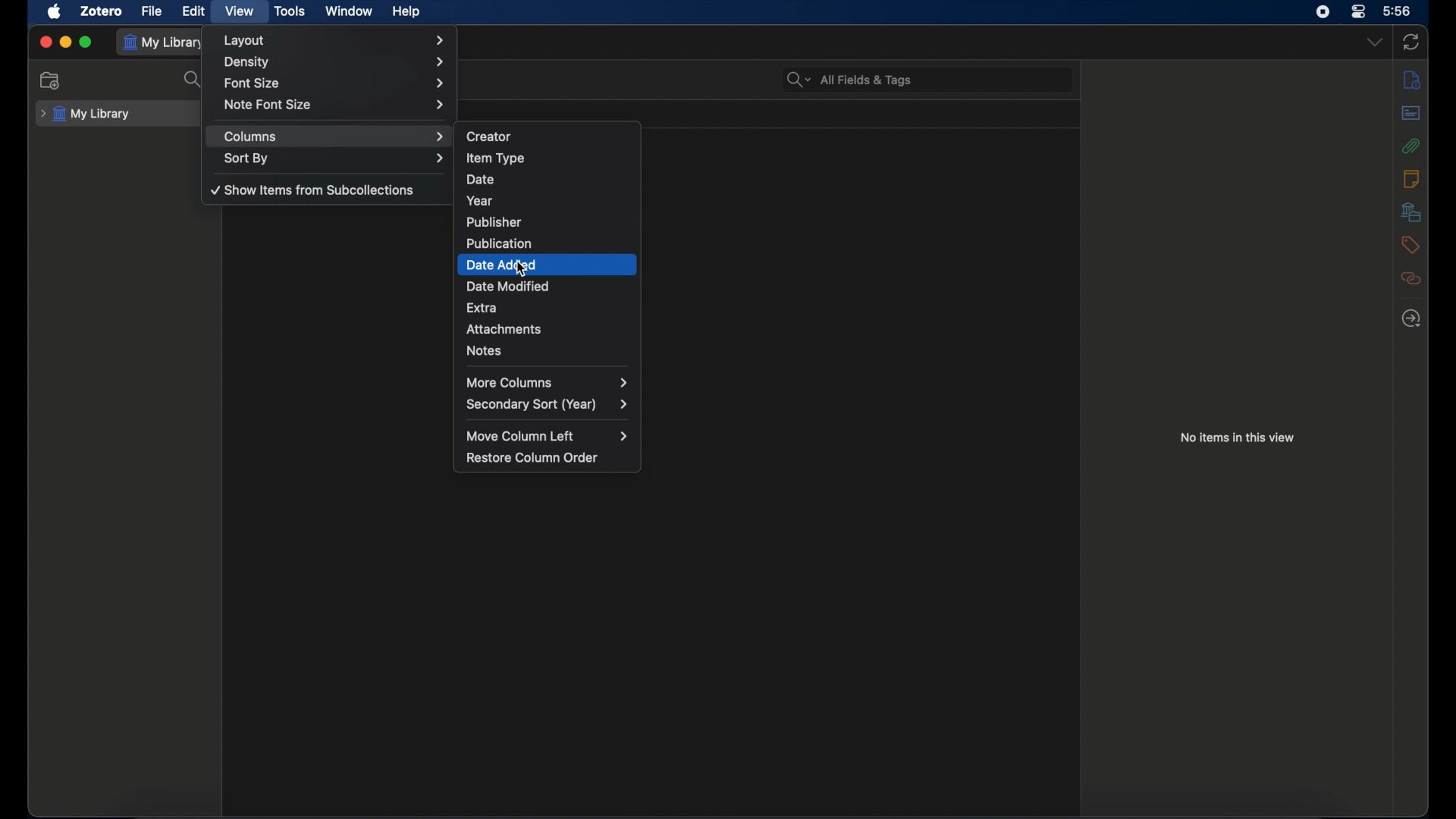 This screenshot has height=819, width=1456. Describe the element at coordinates (550, 352) in the screenshot. I see `notes` at that location.